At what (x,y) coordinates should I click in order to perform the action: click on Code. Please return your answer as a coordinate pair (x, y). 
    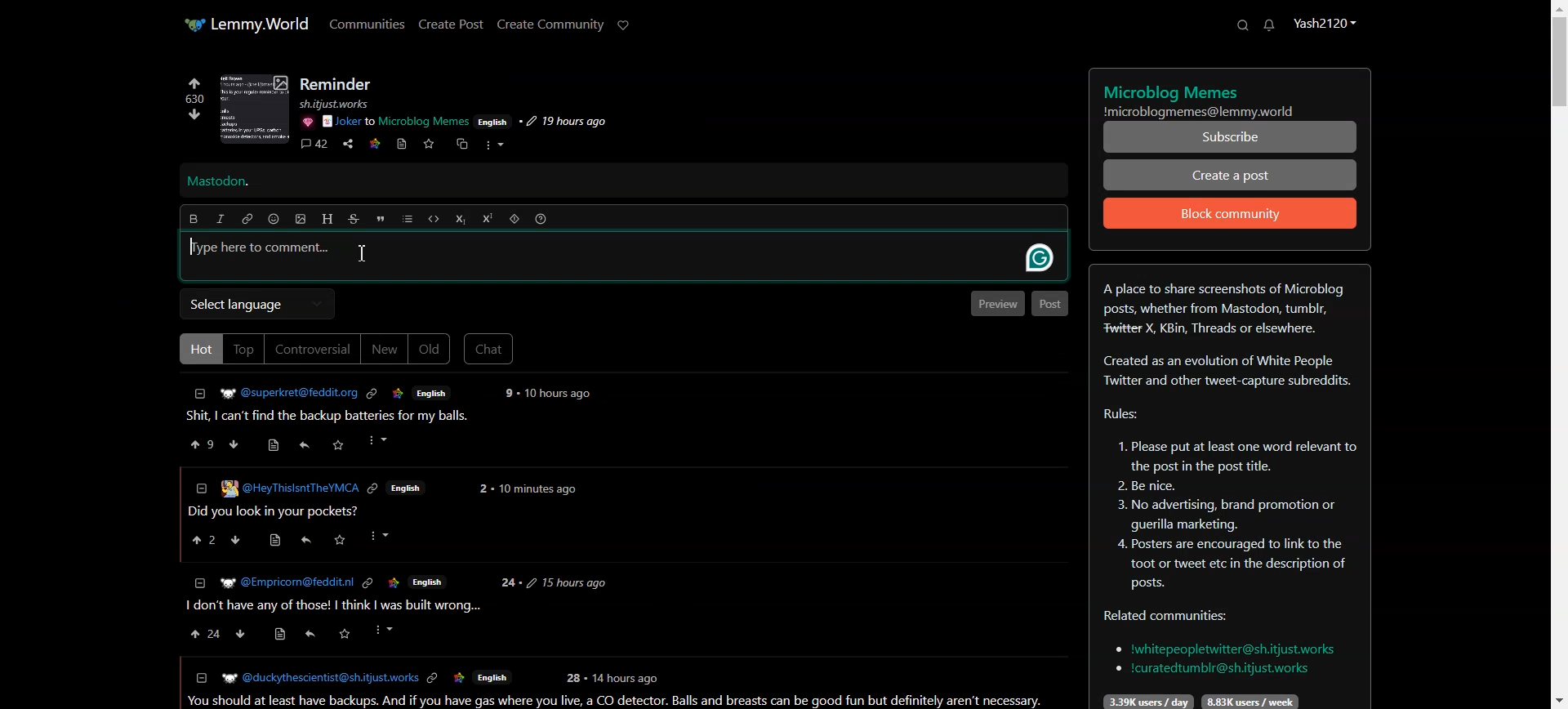
    Looking at the image, I should click on (434, 219).